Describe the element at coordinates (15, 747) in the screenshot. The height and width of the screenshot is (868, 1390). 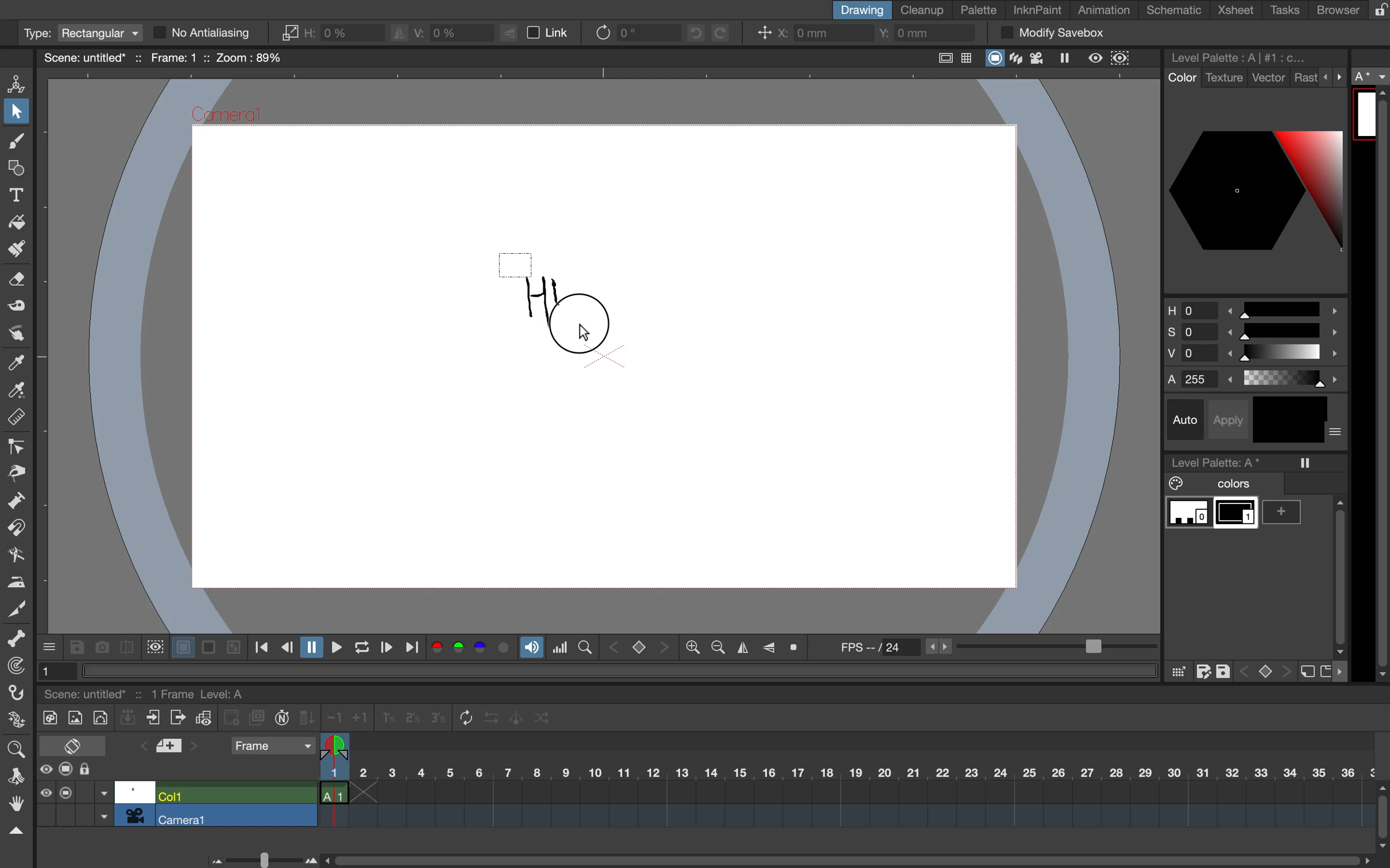
I see `zoom tool` at that location.